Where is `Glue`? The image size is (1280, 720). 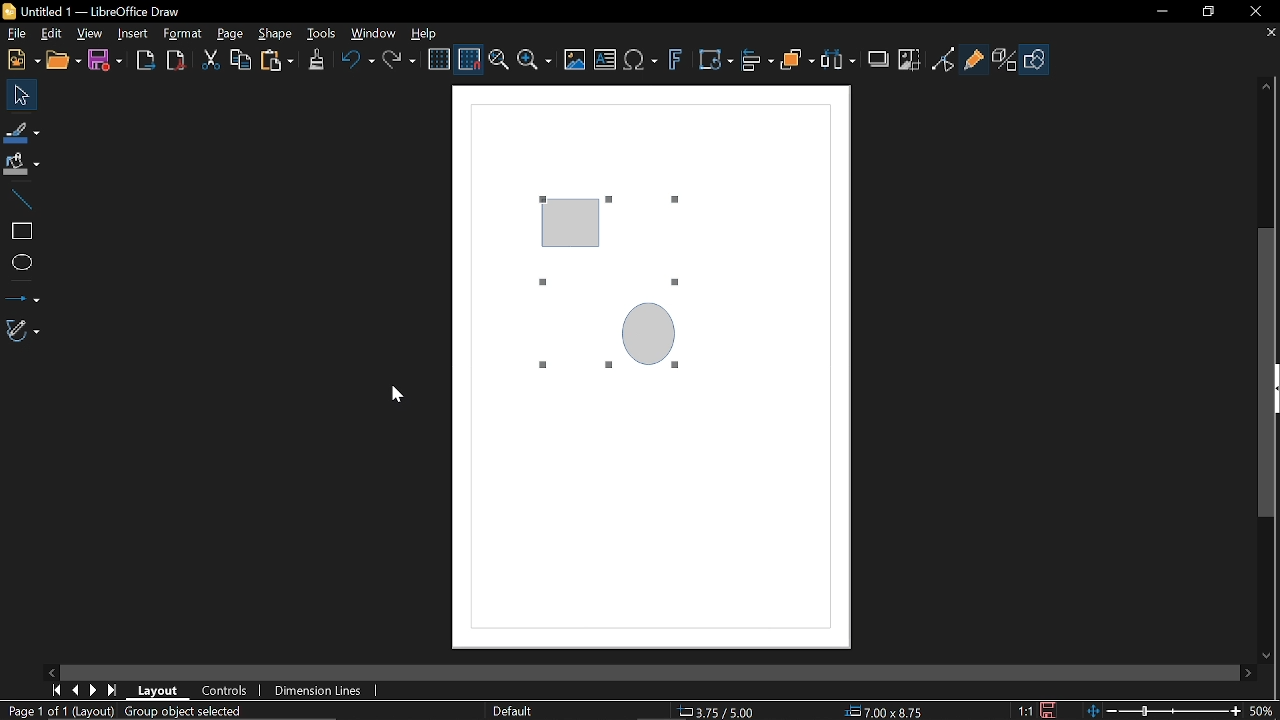
Glue is located at coordinates (974, 60).